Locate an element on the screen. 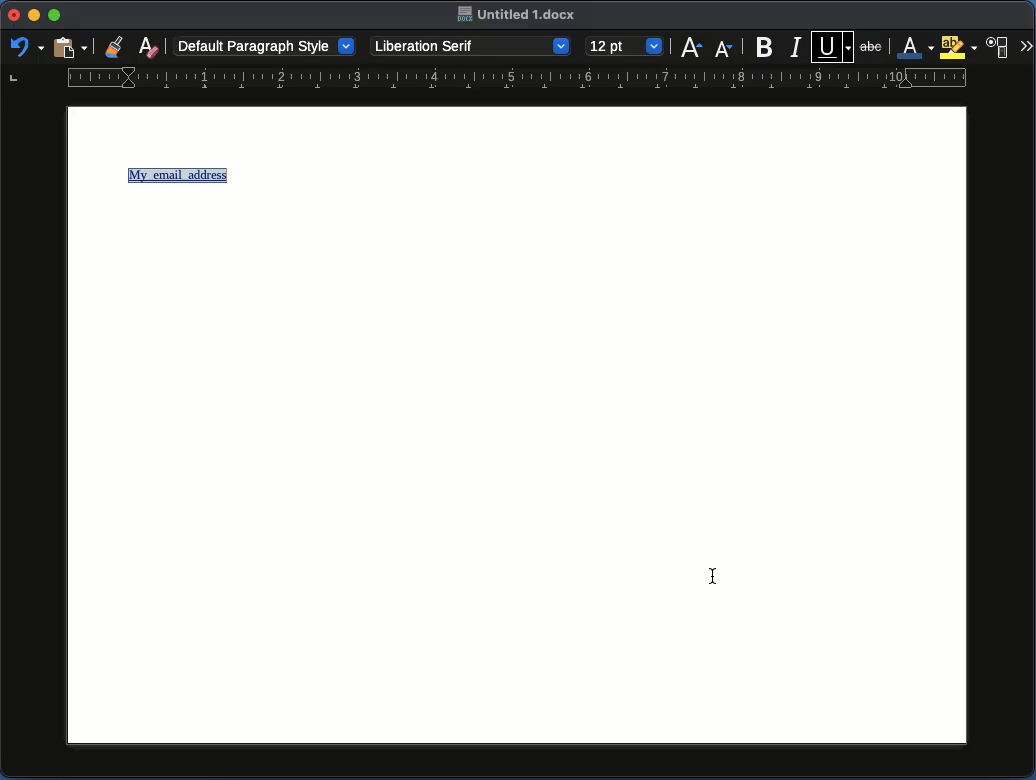  12pt is located at coordinates (625, 45).